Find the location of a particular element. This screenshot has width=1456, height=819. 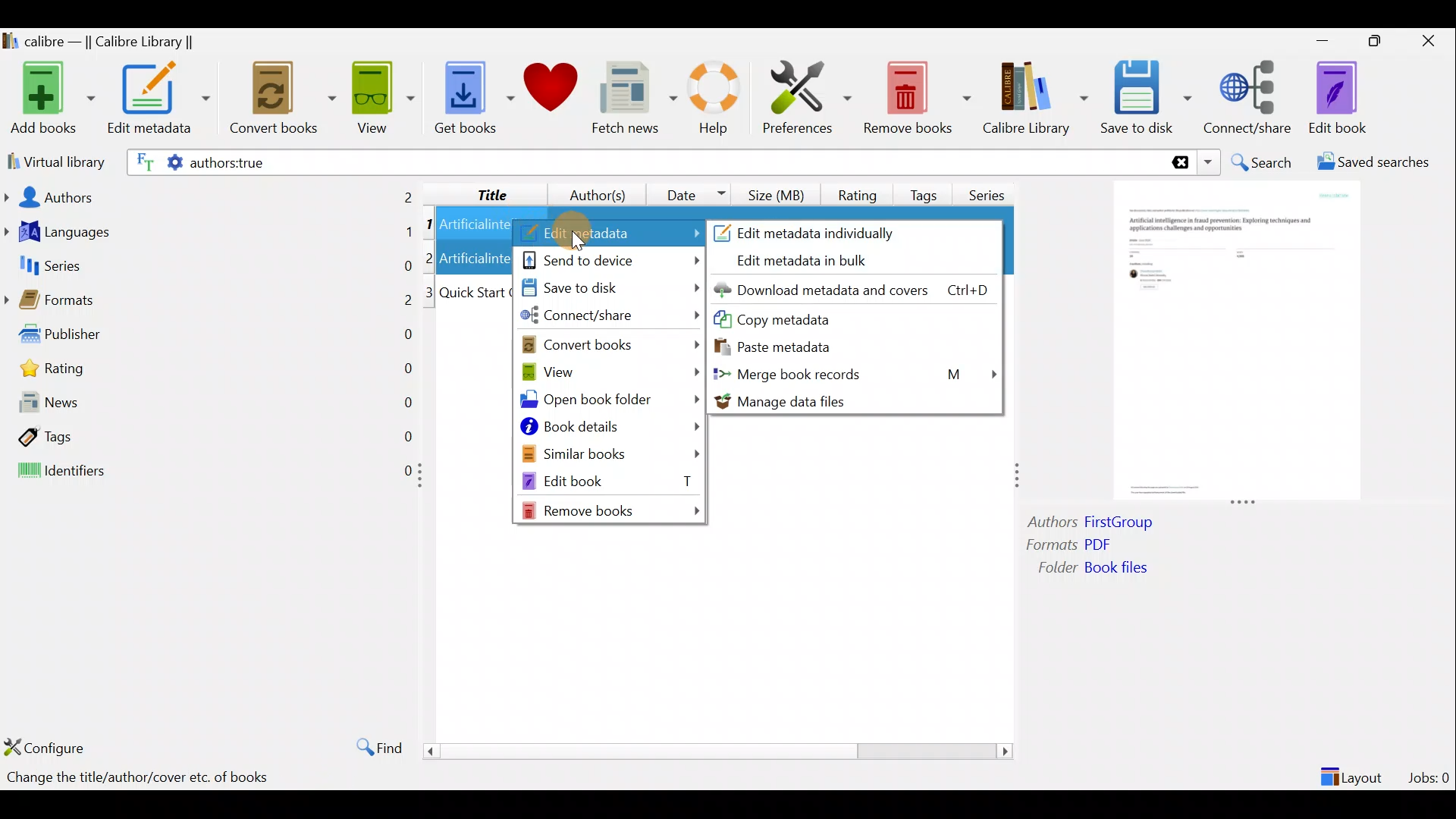

Fetch news is located at coordinates (631, 102).